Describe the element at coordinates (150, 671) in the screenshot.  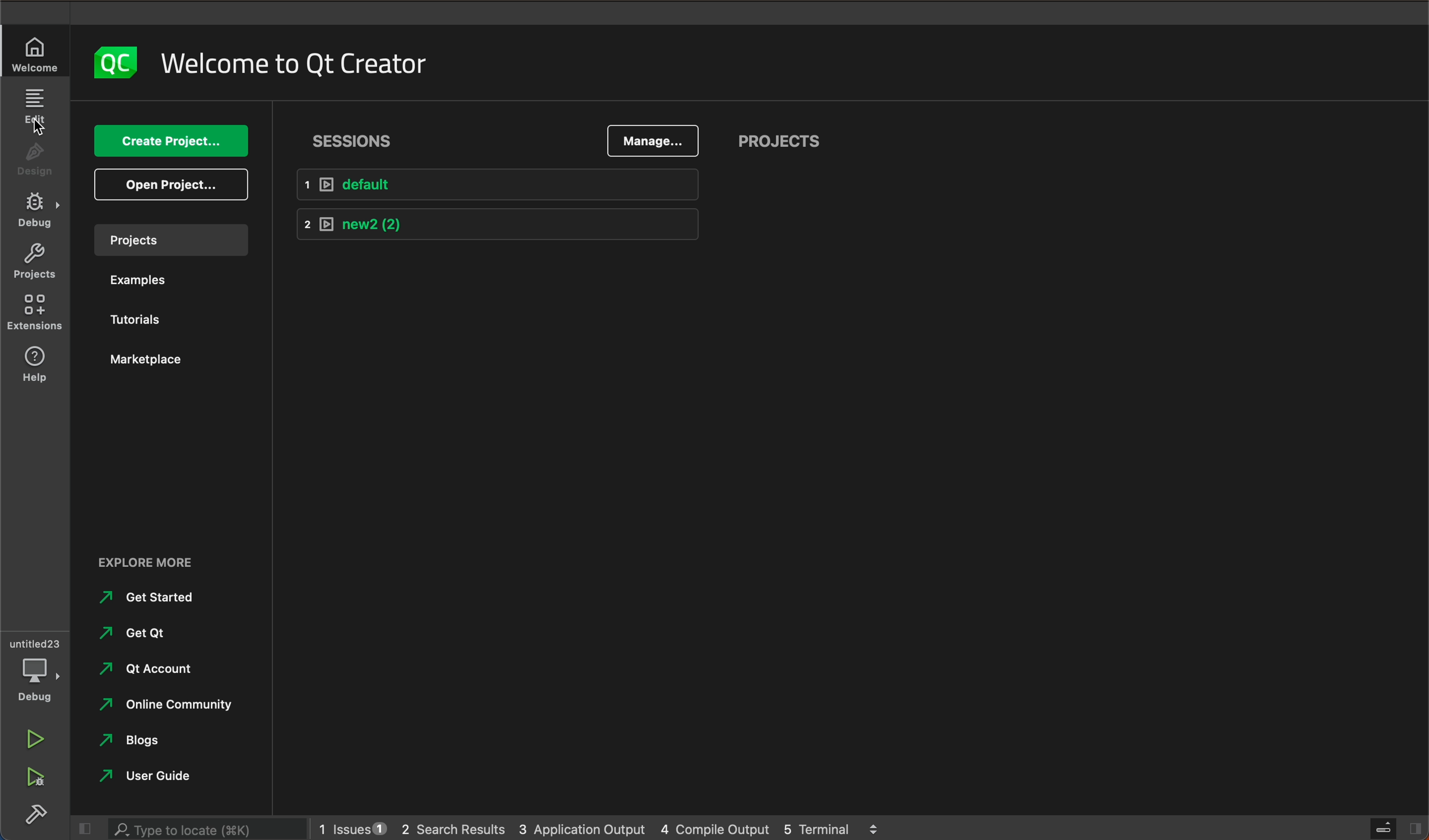
I see `qt account` at that location.